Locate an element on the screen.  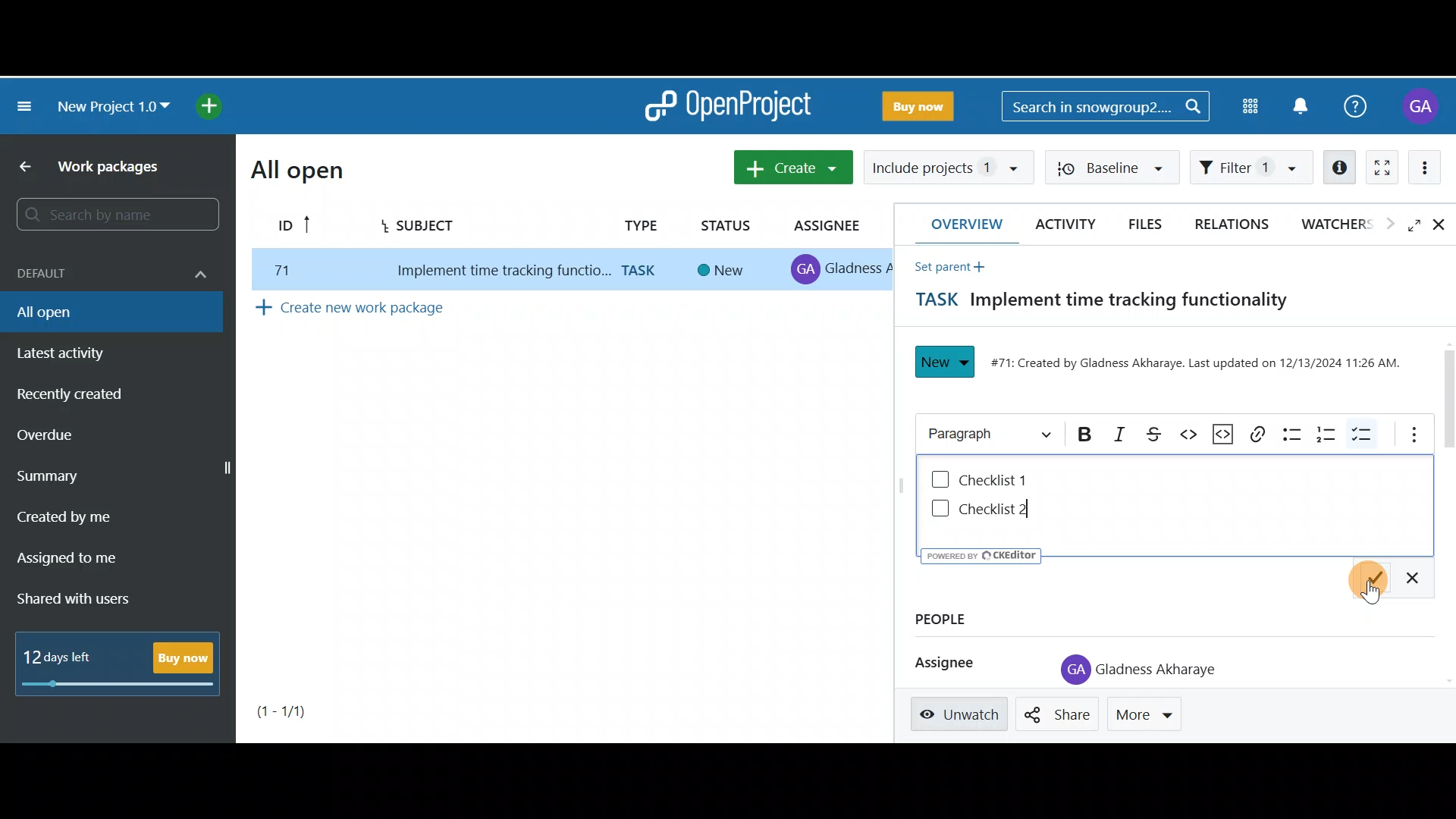
Latest activity is located at coordinates (74, 352).